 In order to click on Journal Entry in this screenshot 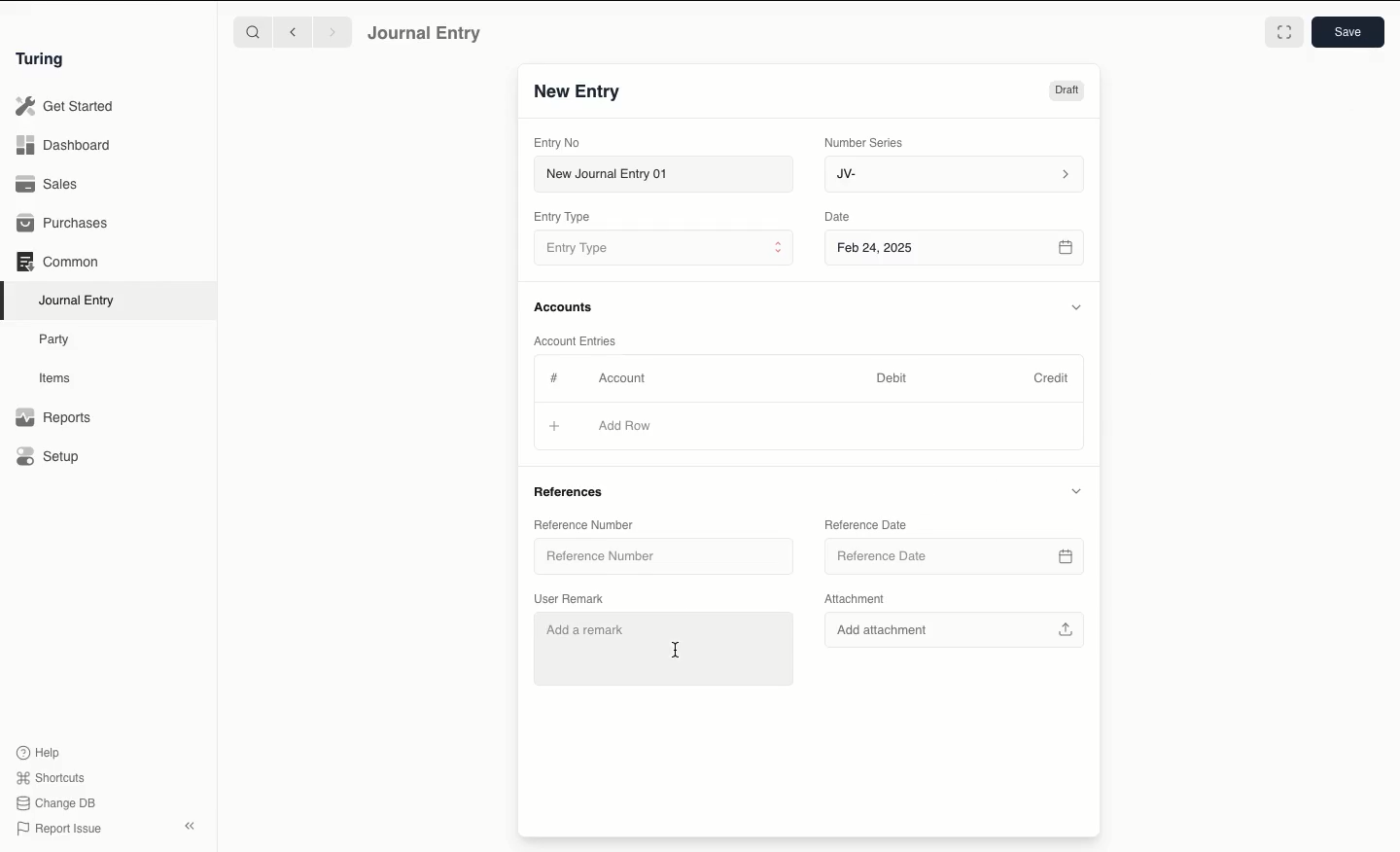, I will do `click(426, 34)`.